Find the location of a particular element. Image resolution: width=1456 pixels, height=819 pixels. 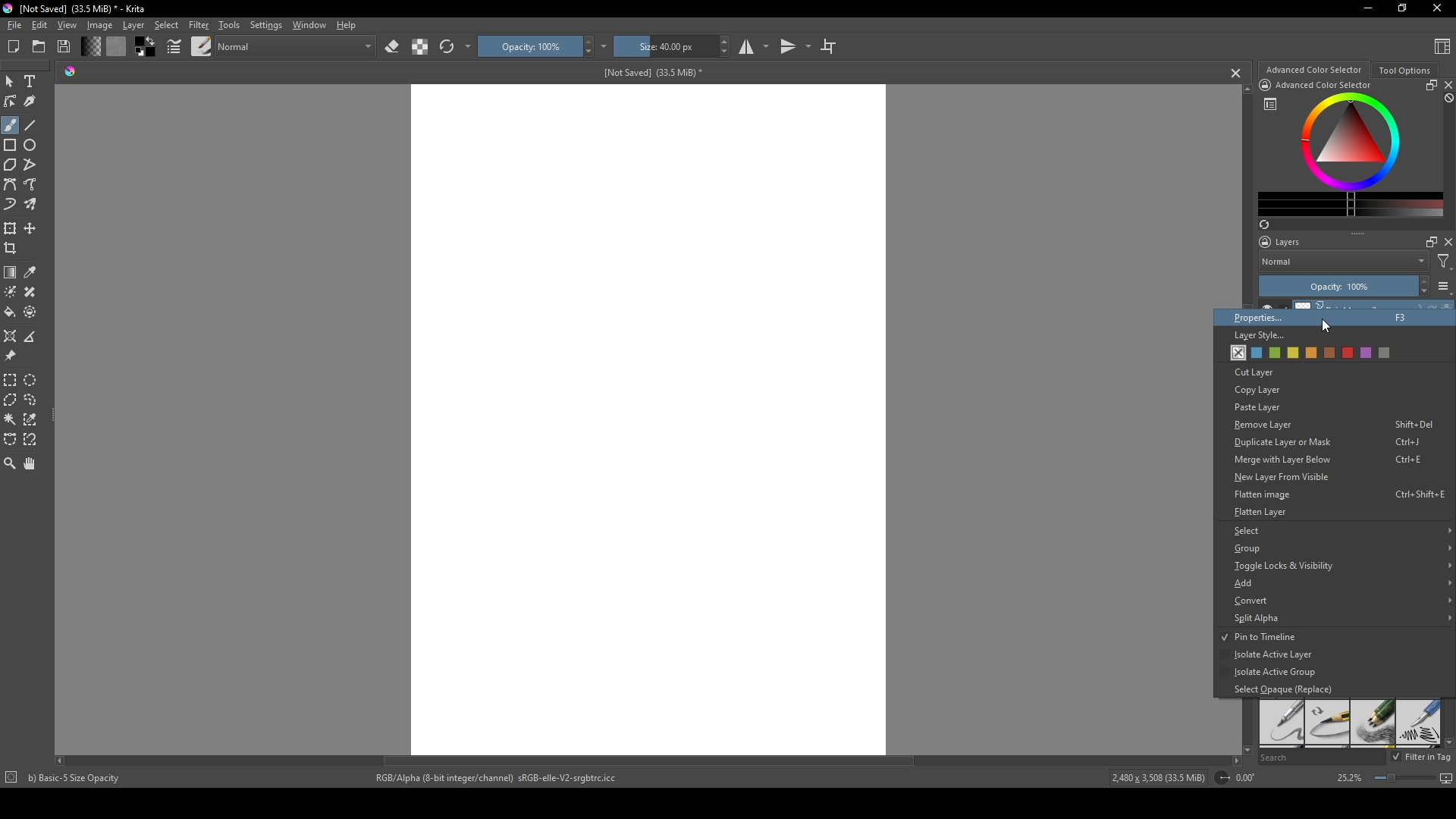

RGB/Alpha (8-bit integer/channel) sRGB-elle-V2-srgbtrc.icc is located at coordinates (503, 778).